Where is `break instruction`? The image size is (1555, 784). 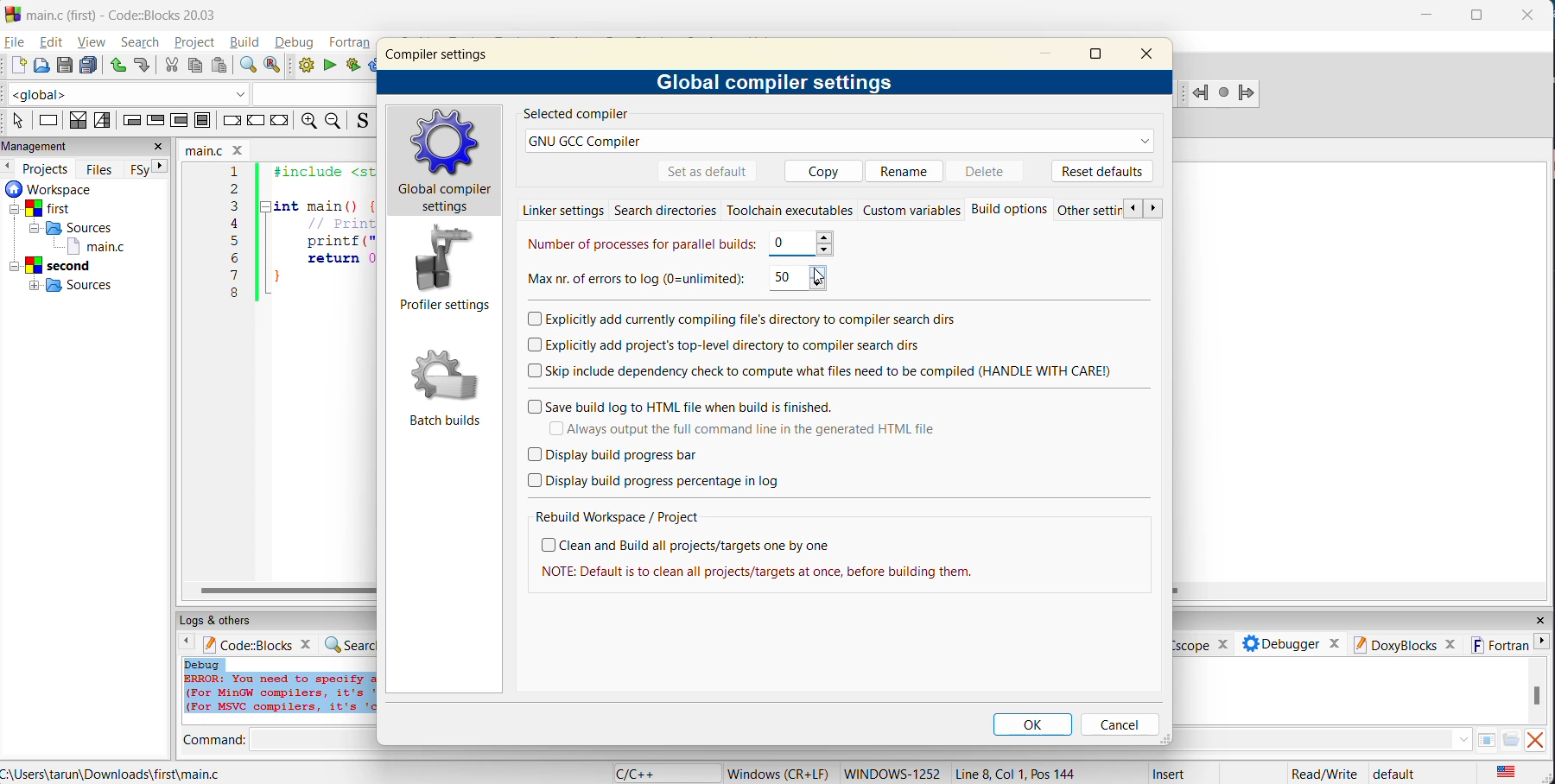 break instruction is located at coordinates (229, 121).